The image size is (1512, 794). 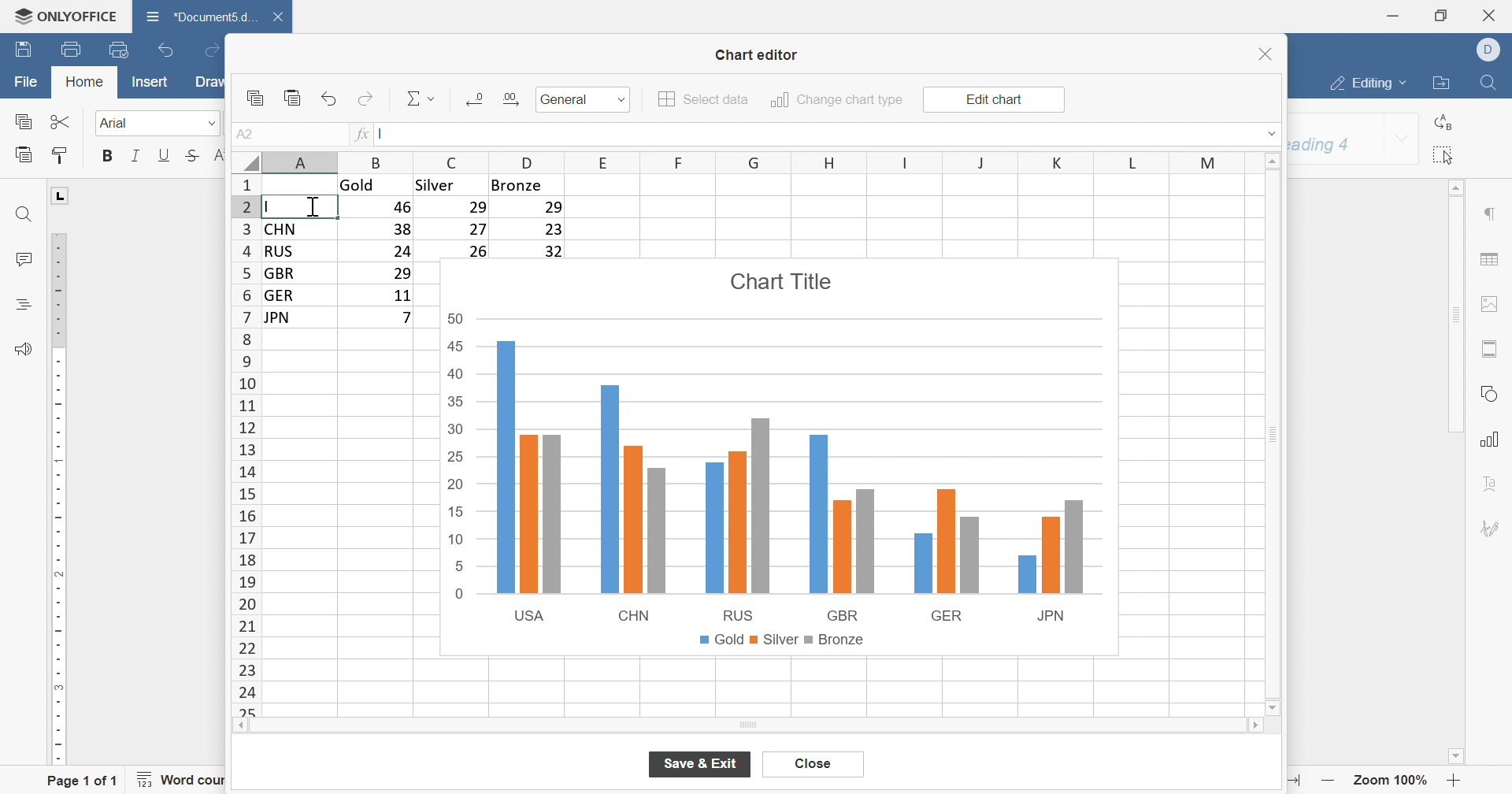 I want to click on onlyoffice, so click(x=66, y=16).